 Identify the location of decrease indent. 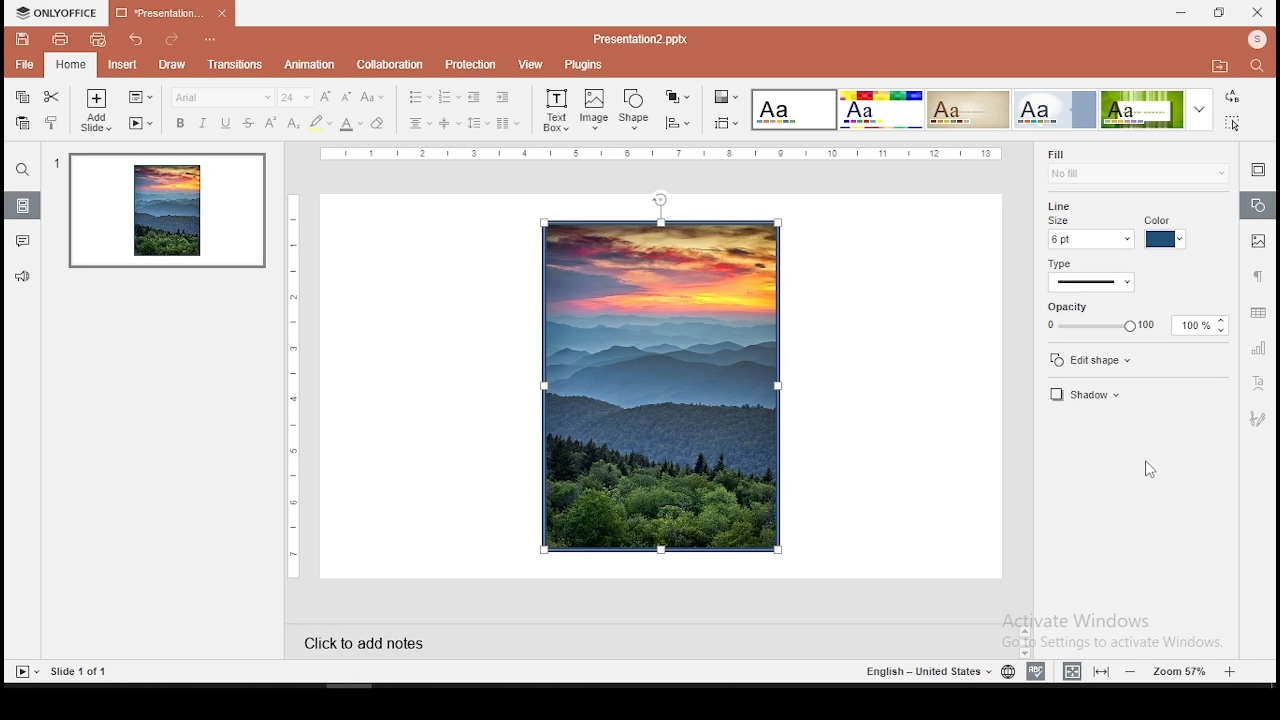
(474, 97).